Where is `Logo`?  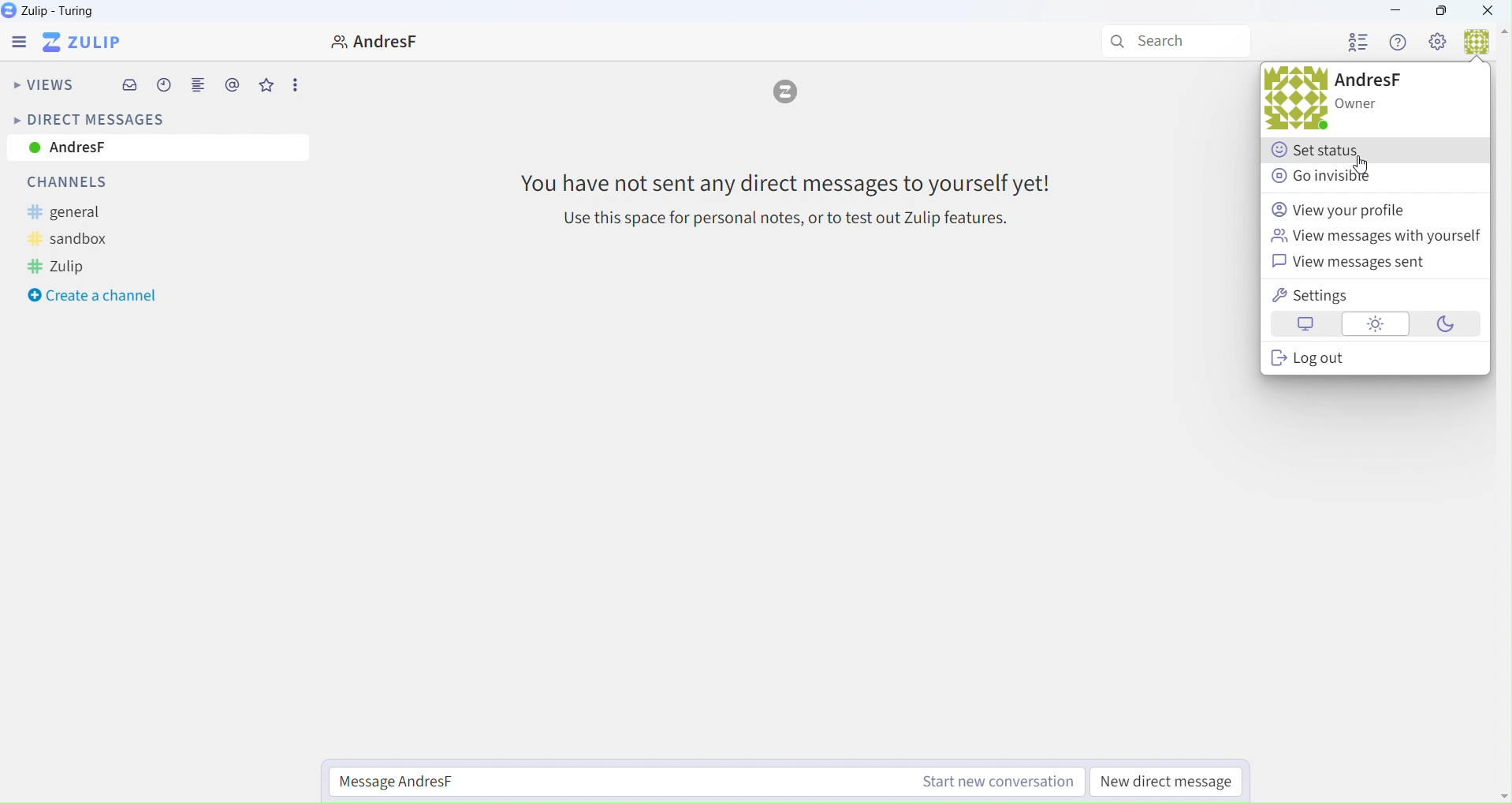 Logo is located at coordinates (788, 95).